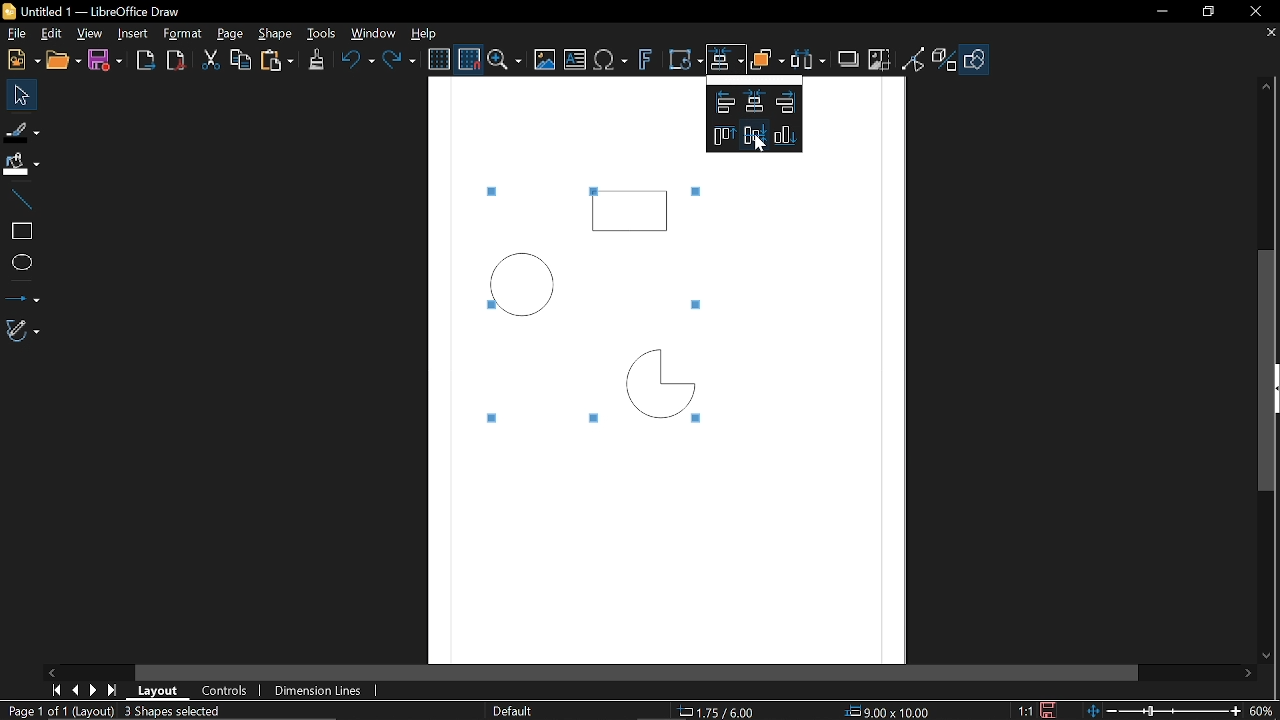 The image size is (1280, 720). Describe the element at coordinates (20, 60) in the screenshot. I see `New` at that location.